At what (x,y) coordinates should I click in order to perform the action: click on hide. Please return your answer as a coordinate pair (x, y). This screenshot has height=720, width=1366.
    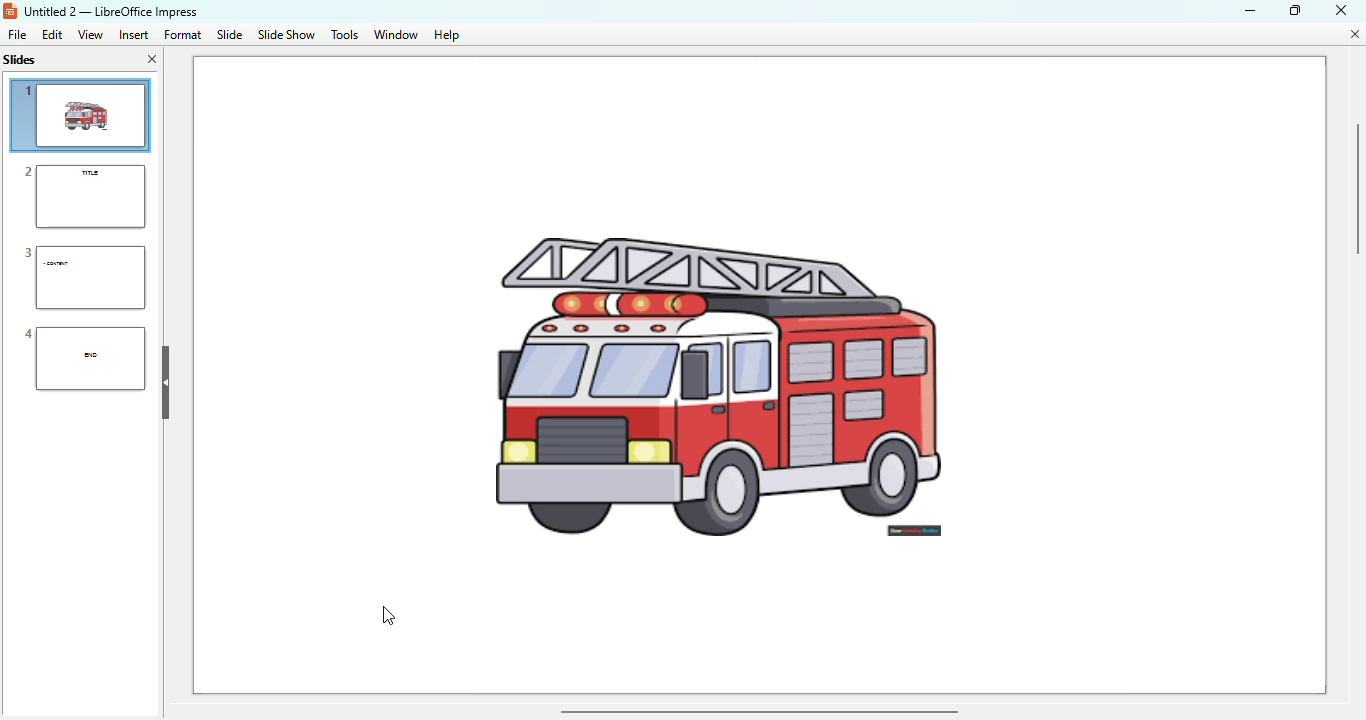
    Looking at the image, I should click on (166, 382).